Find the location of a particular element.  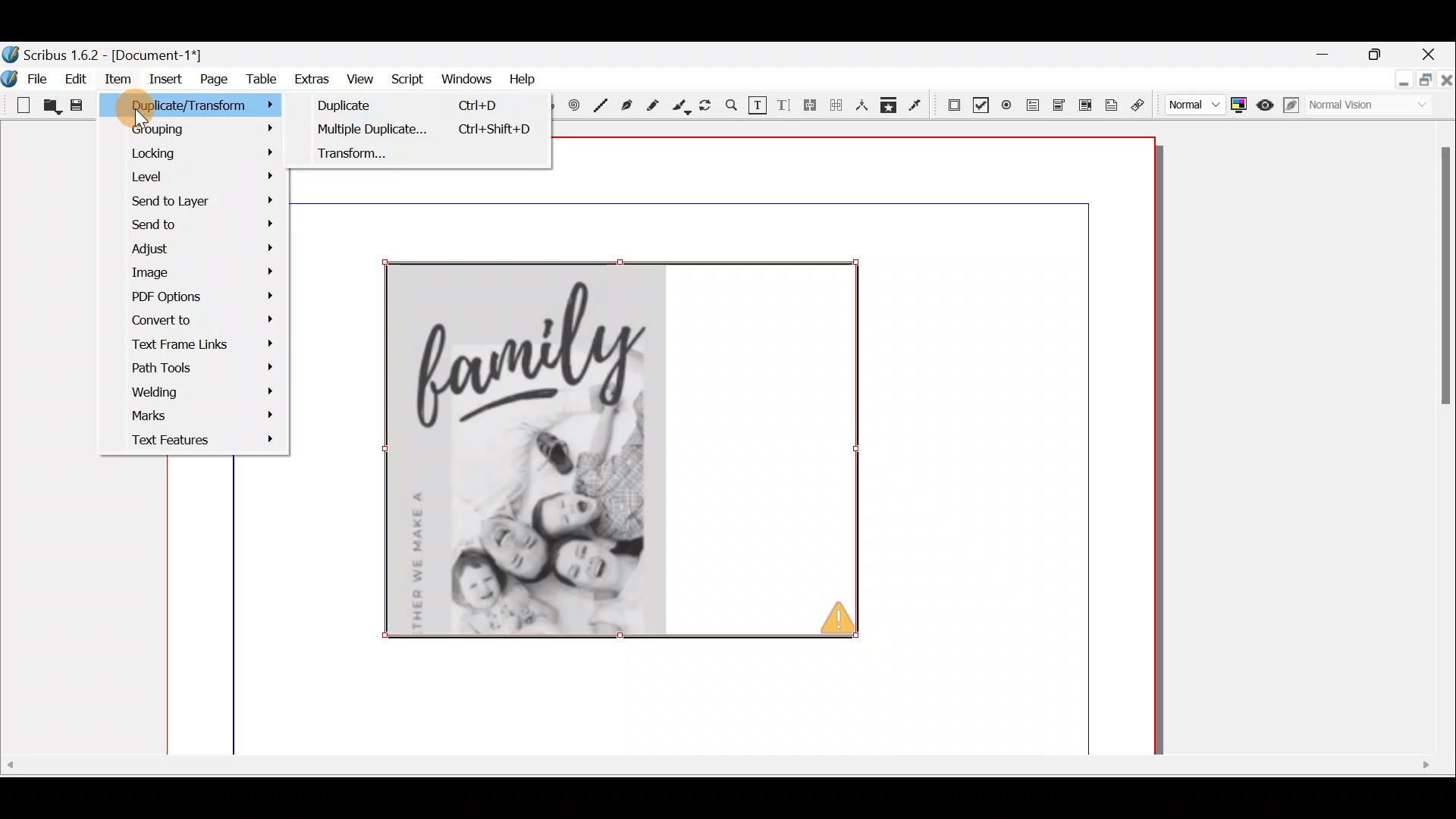

Open is located at coordinates (52, 108).